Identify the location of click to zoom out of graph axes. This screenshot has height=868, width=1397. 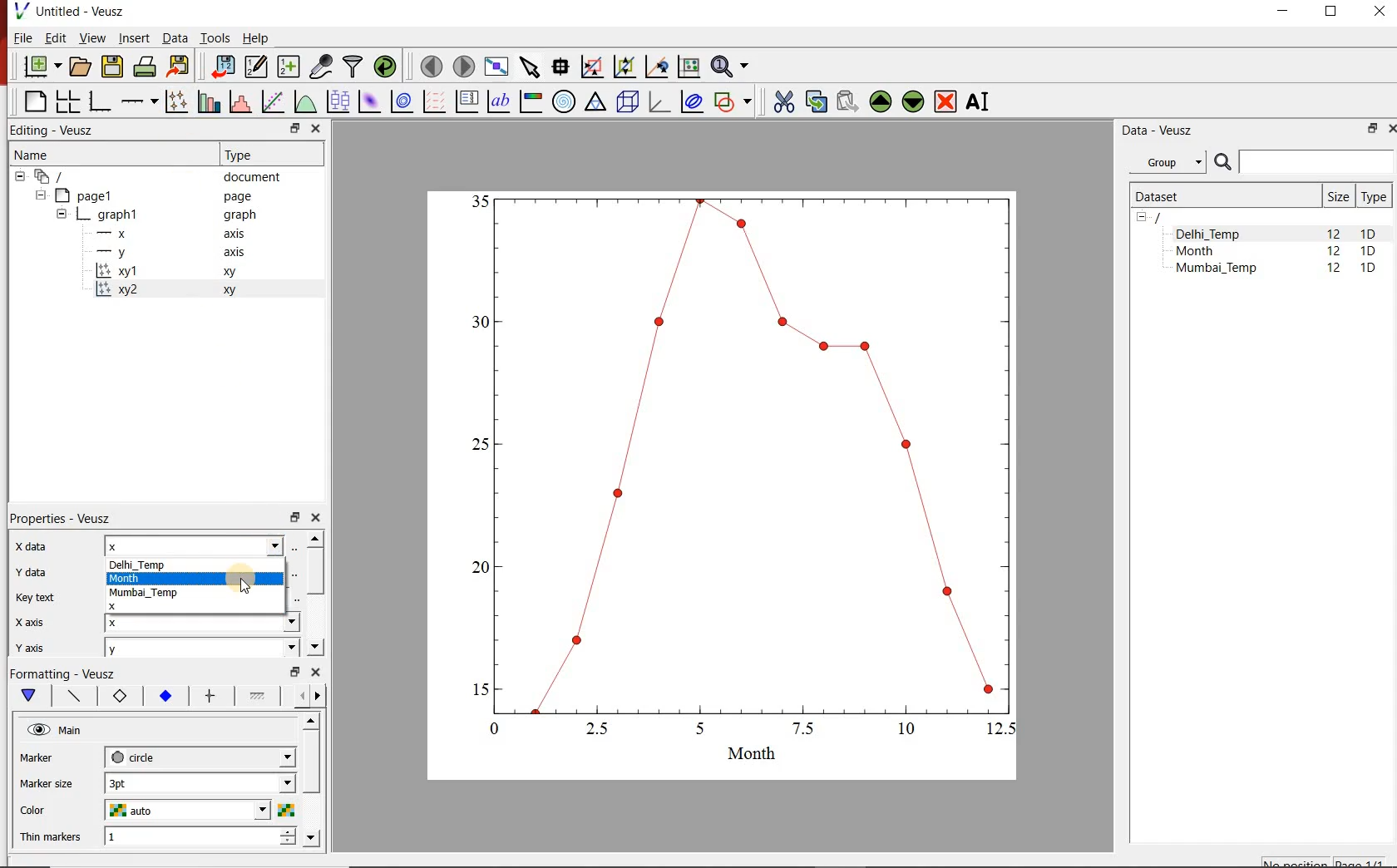
(624, 67).